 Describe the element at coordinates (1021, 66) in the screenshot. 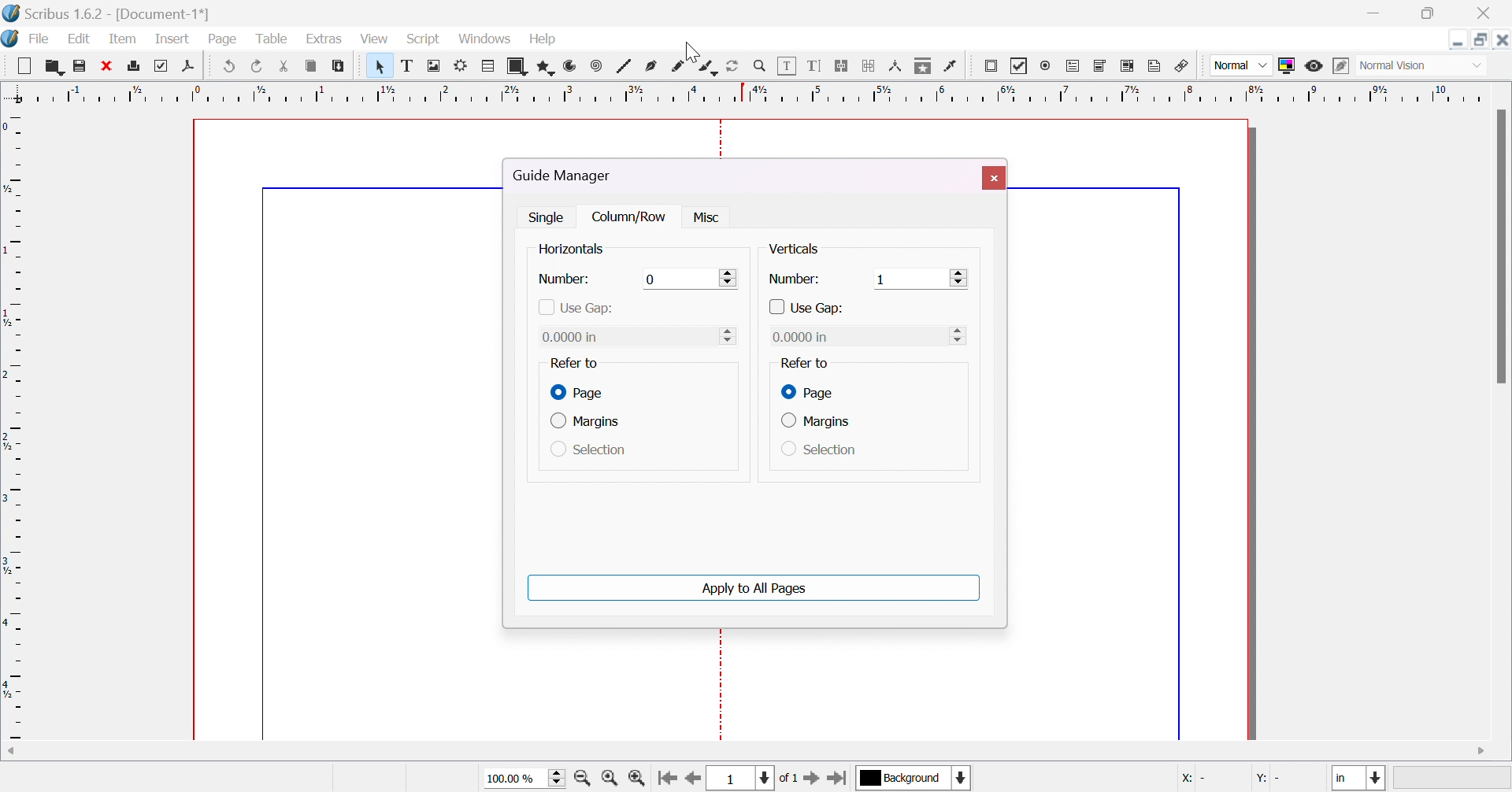

I see `PDF checkbox` at that location.